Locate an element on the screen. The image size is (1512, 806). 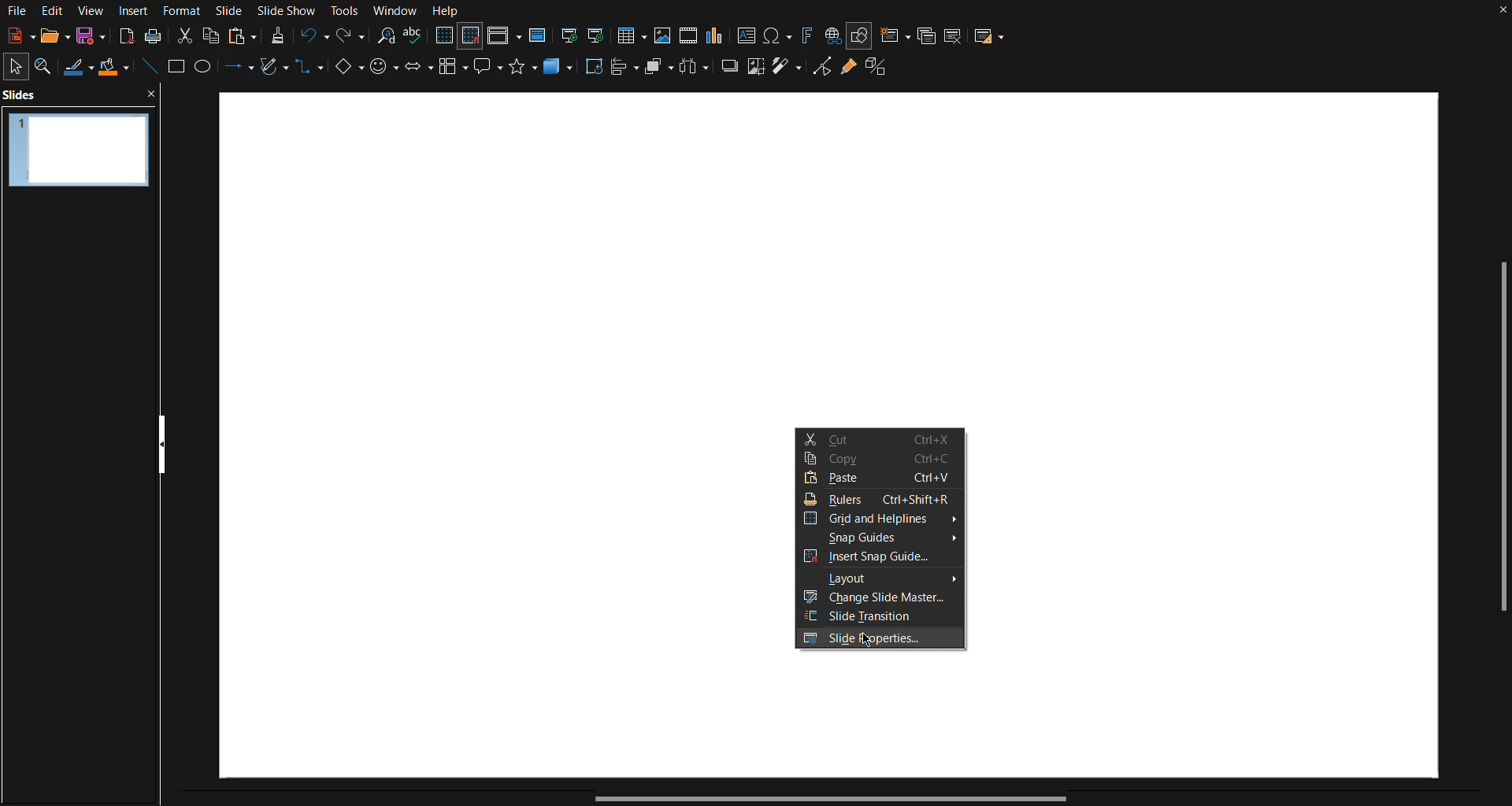
Undo is located at coordinates (313, 36).